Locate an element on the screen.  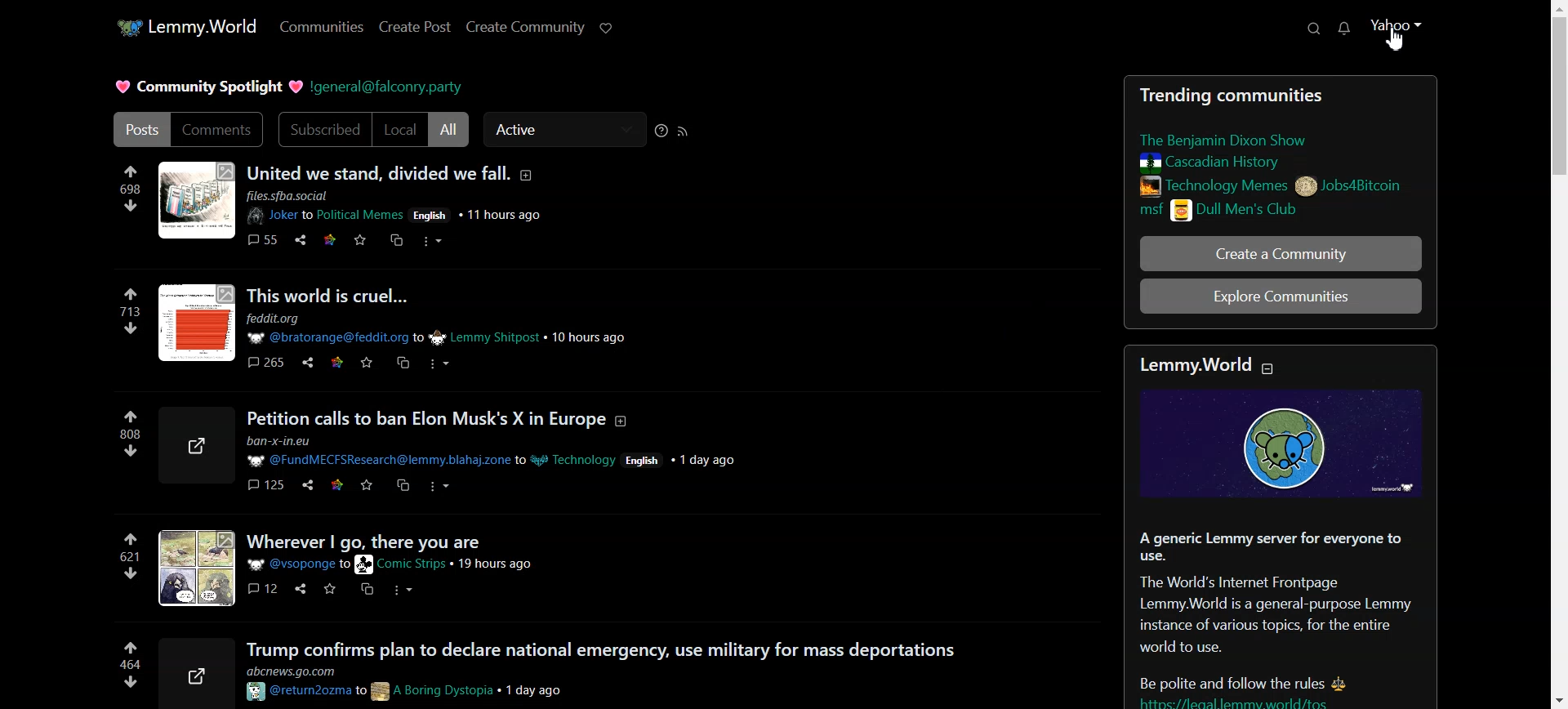
11 hours ago is located at coordinates (503, 212).